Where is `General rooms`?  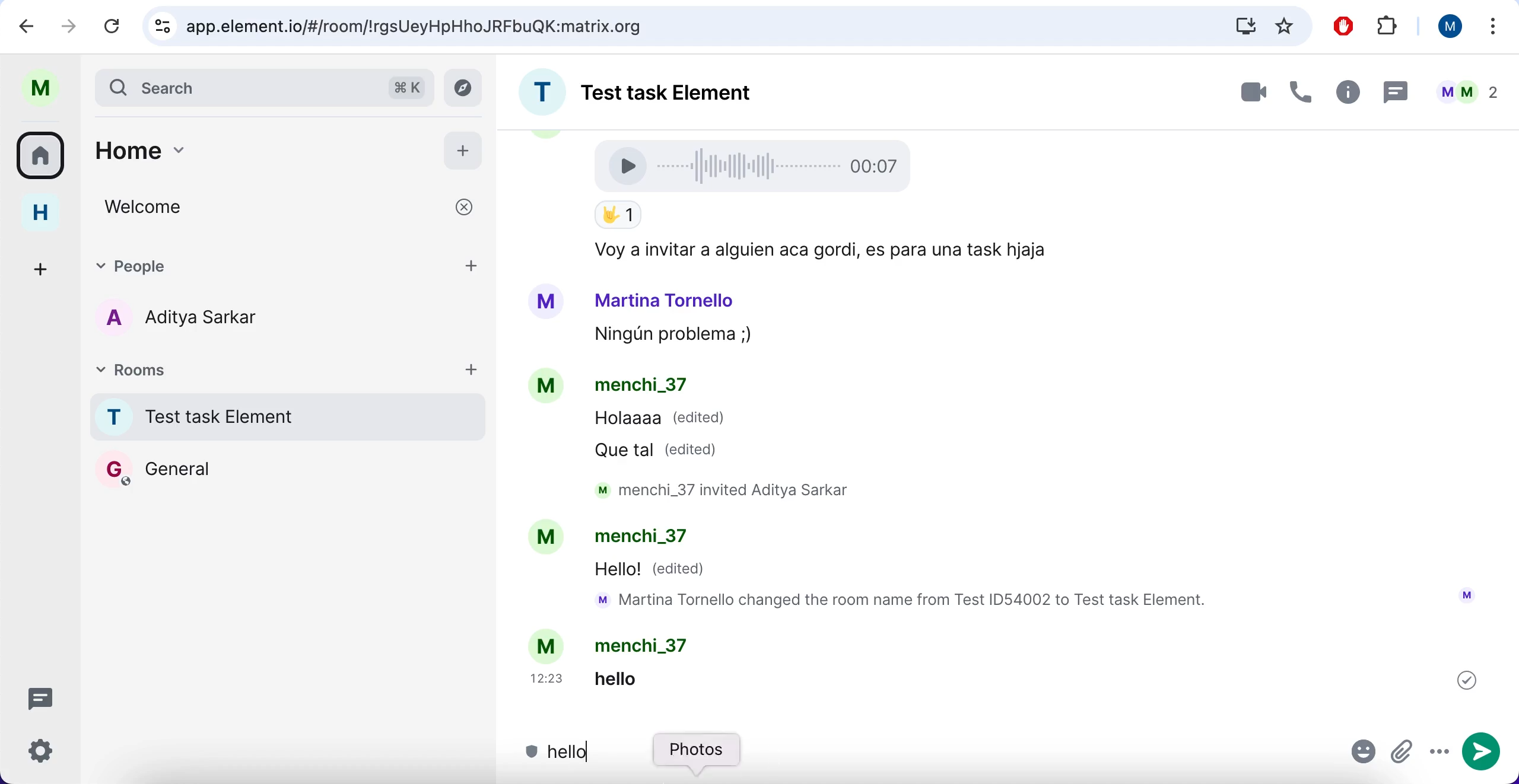 General rooms is located at coordinates (288, 469).